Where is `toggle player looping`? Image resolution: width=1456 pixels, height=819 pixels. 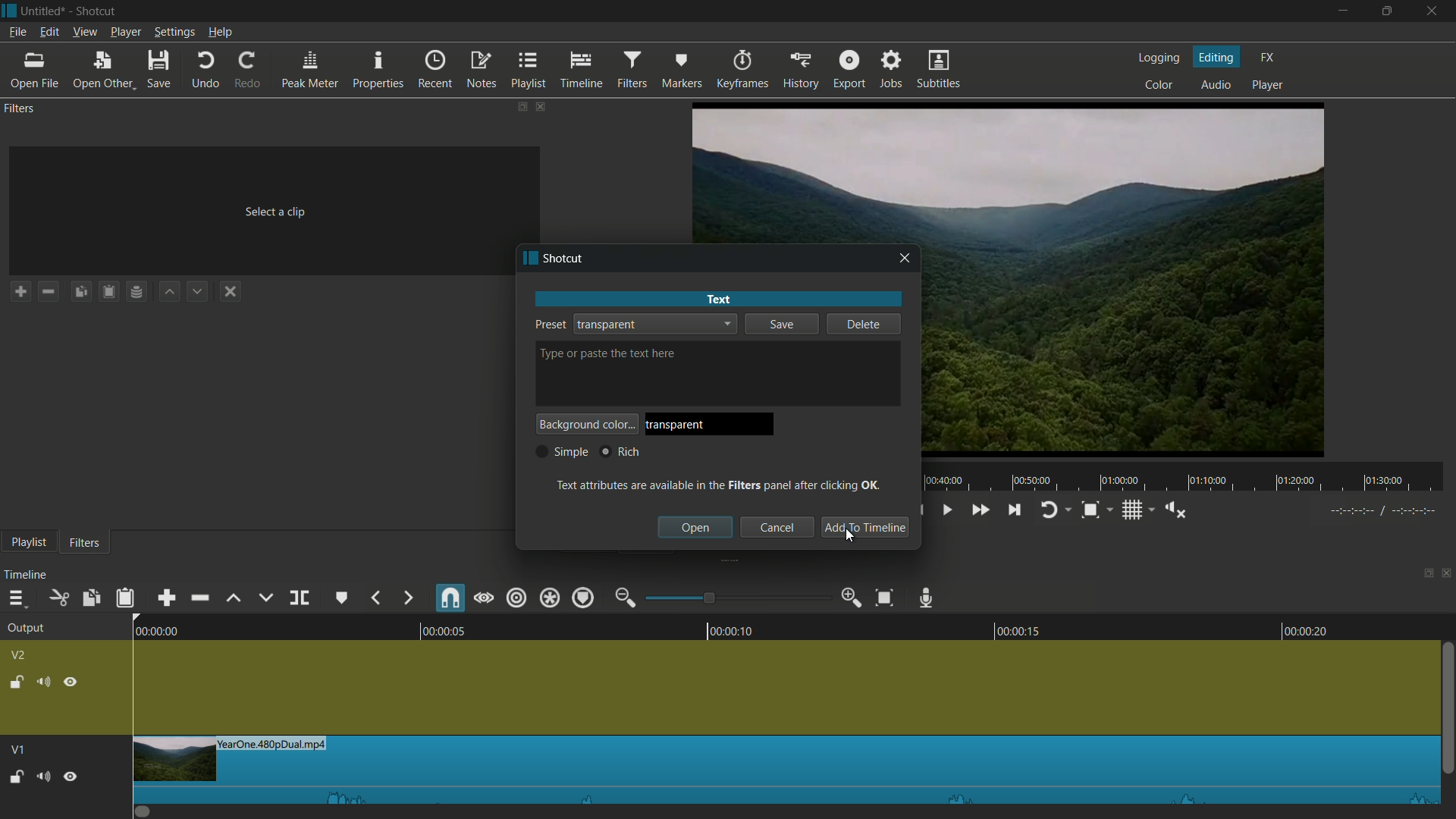
toggle player looping is located at coordinates (1048, 510).